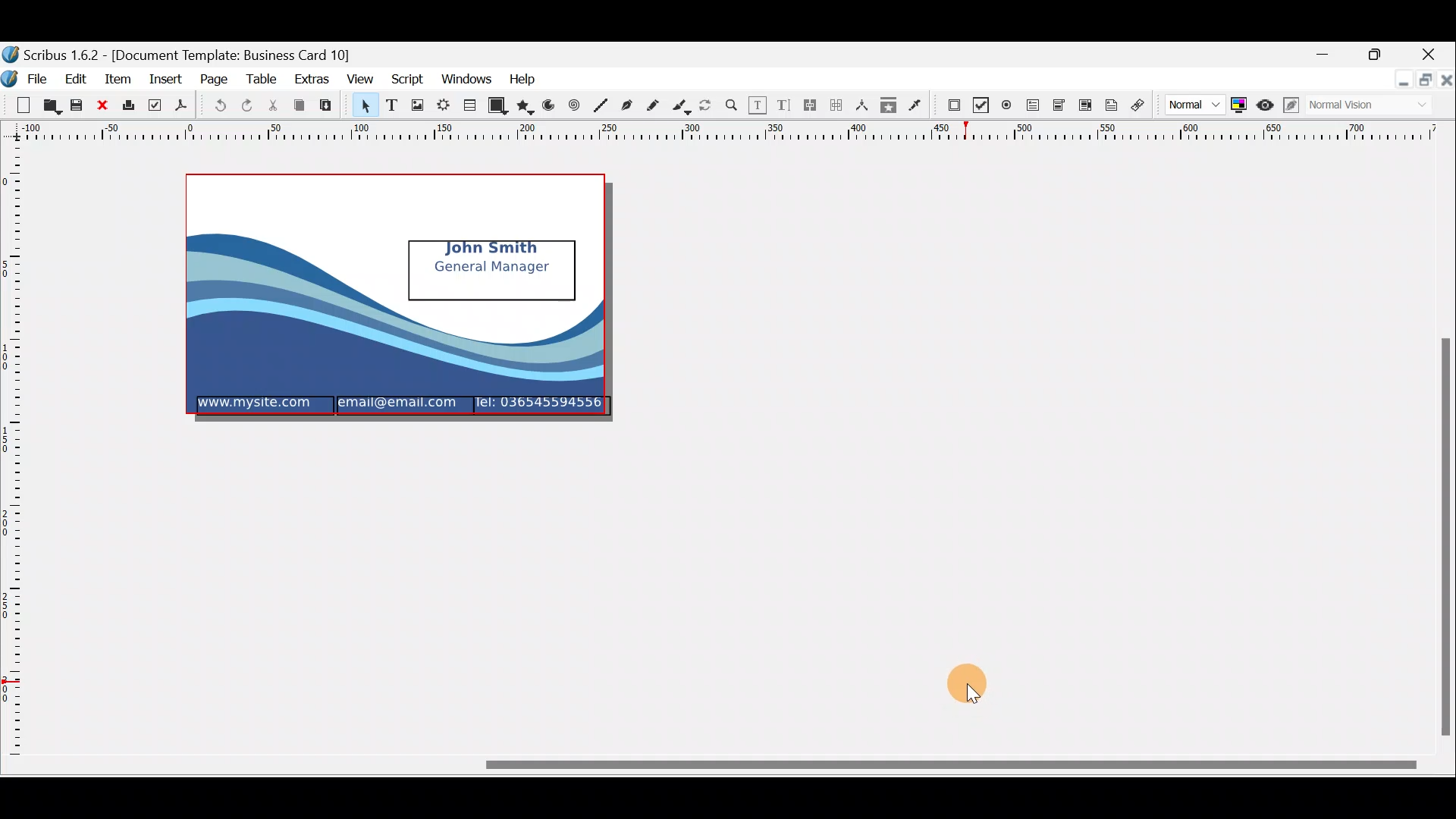 This screenshot has width=1456, height=819. Describe the element at coordinates (526, 106) in the screenshot. I see `Polygon` at that location.